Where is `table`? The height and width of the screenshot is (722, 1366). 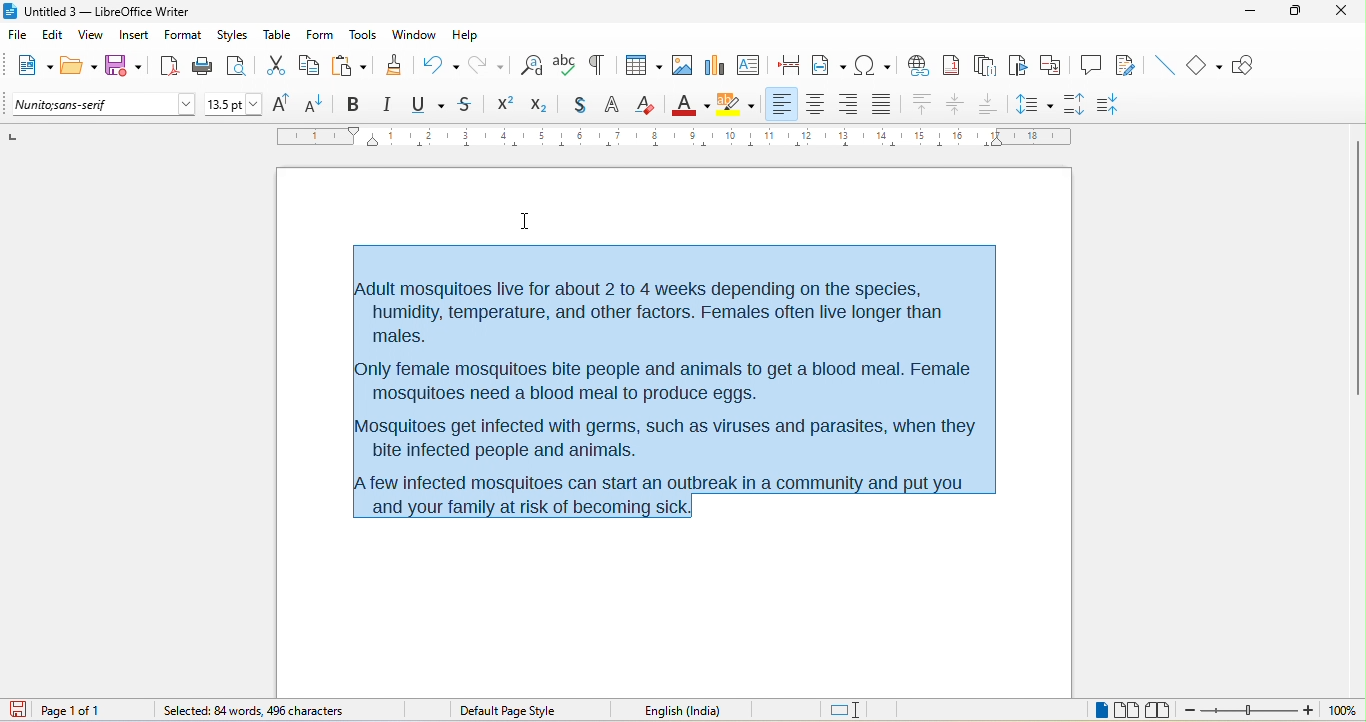
table is located at coordinates (278, 34).